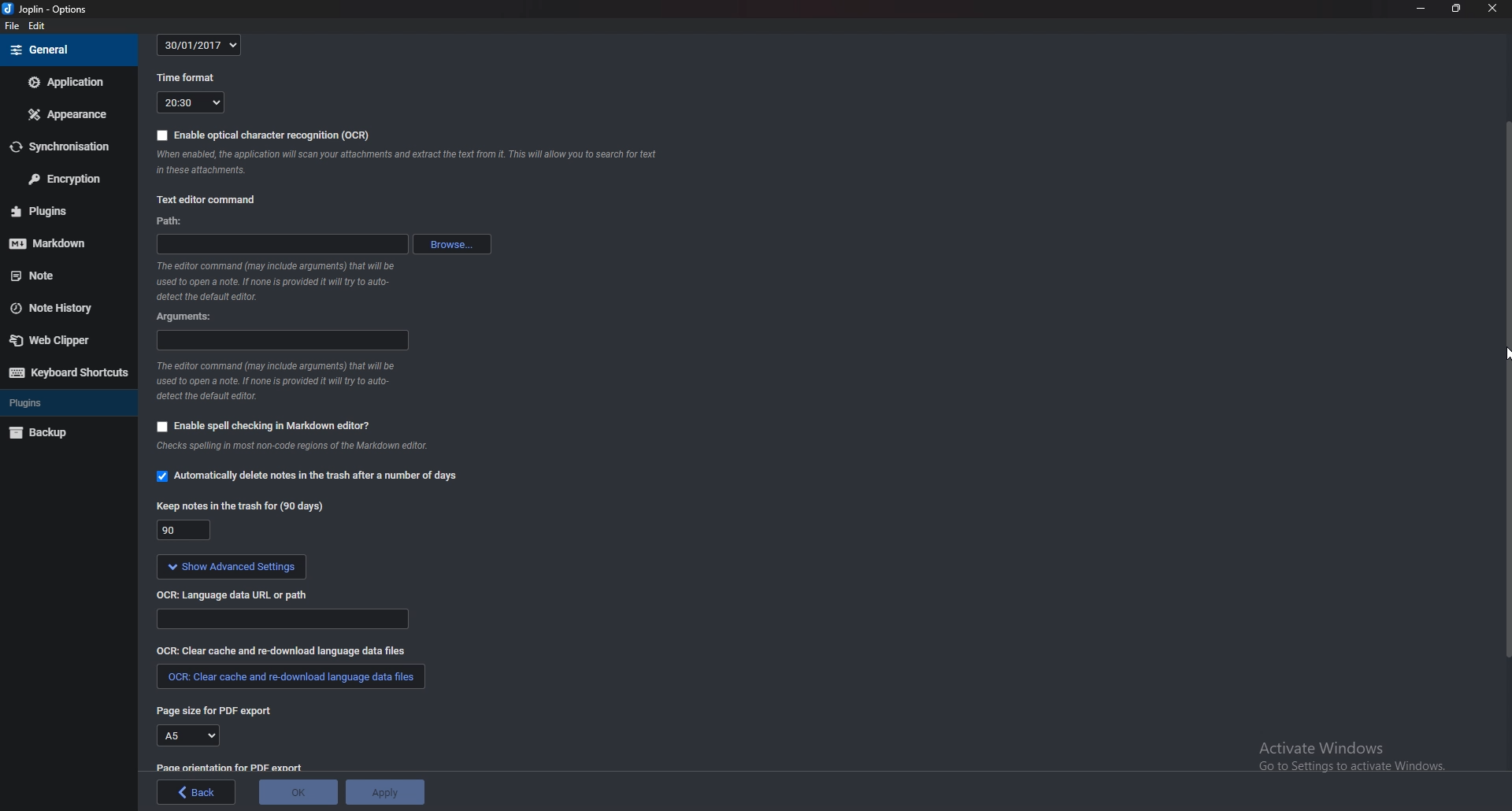 The image size is (1512, 811). What do you see at coordinates (209, 198) in the screenshot?
I see `Text editor command` at bounding box center [209, 198].